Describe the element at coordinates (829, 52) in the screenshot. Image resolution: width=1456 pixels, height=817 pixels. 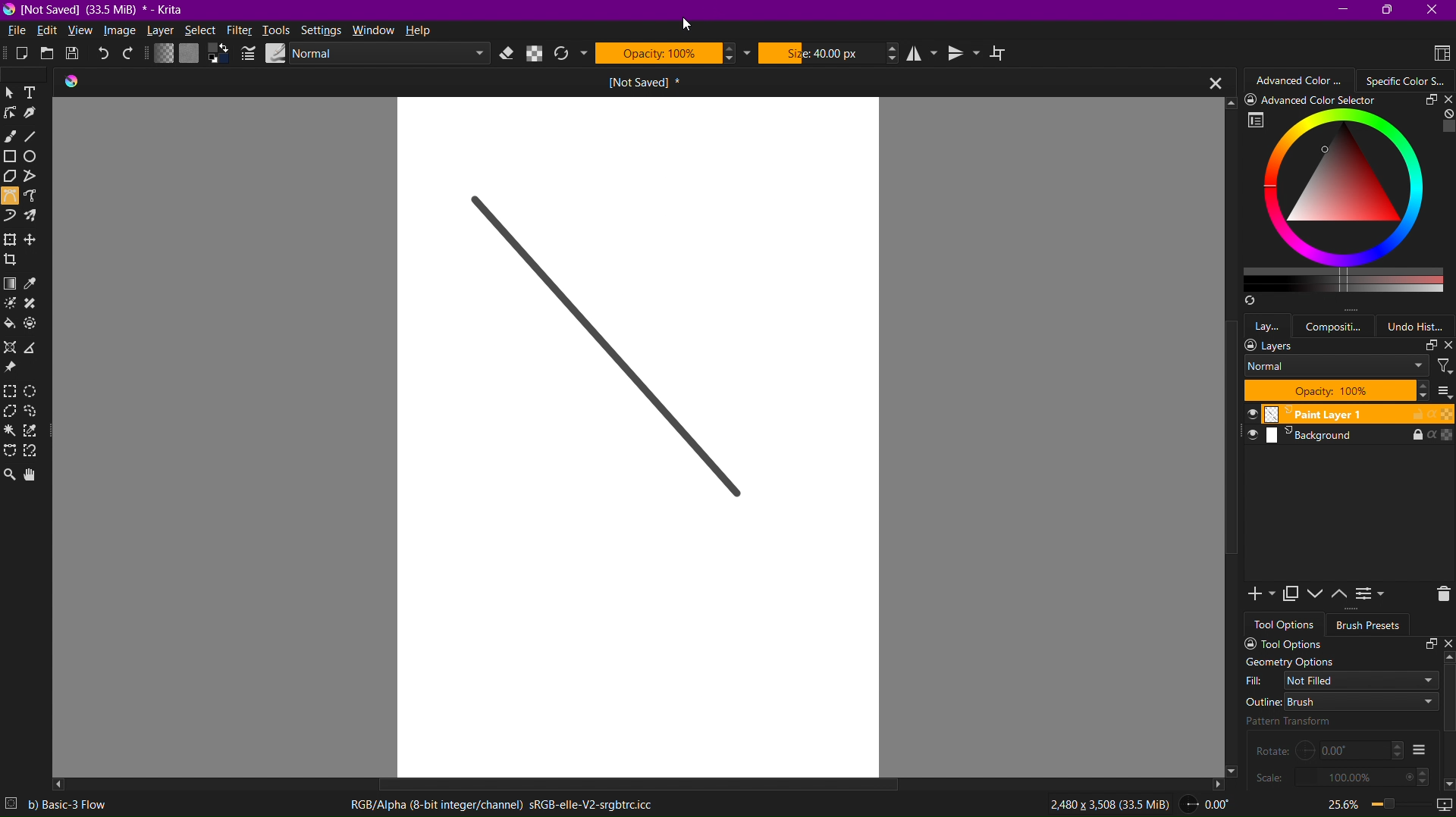
I see `Size` at that location.